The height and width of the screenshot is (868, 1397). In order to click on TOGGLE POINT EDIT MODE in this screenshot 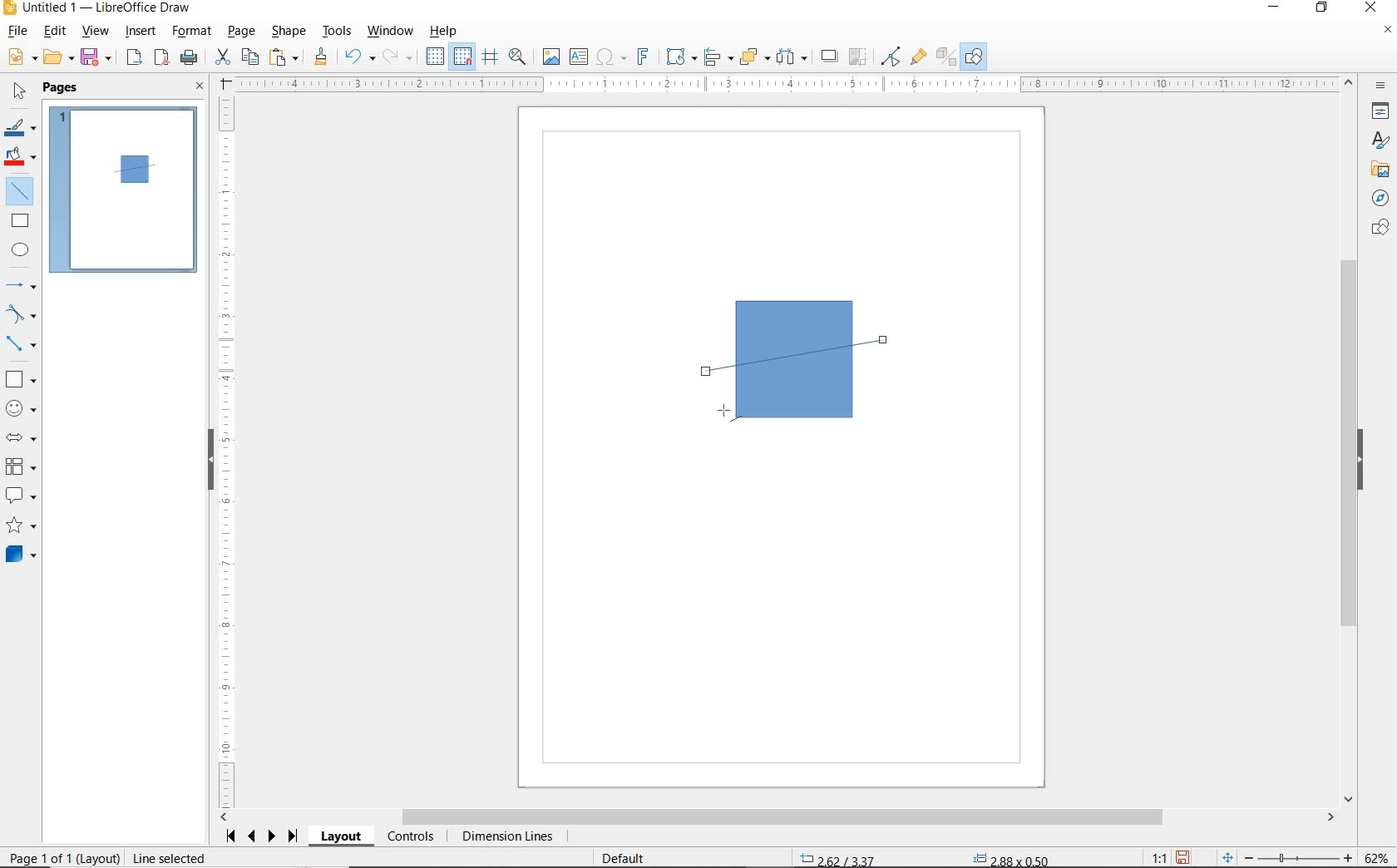, I will do `click(892, 58)`.